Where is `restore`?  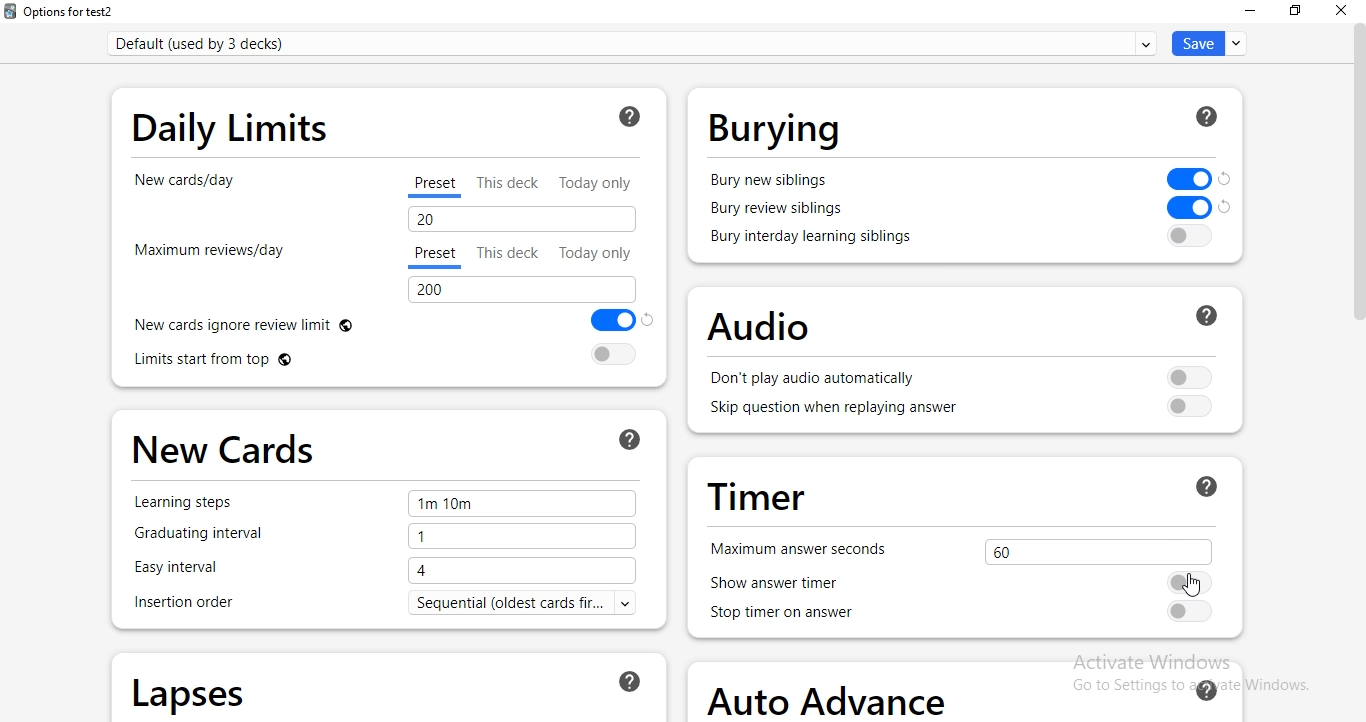
restore is located at coordinates (1296, 13).